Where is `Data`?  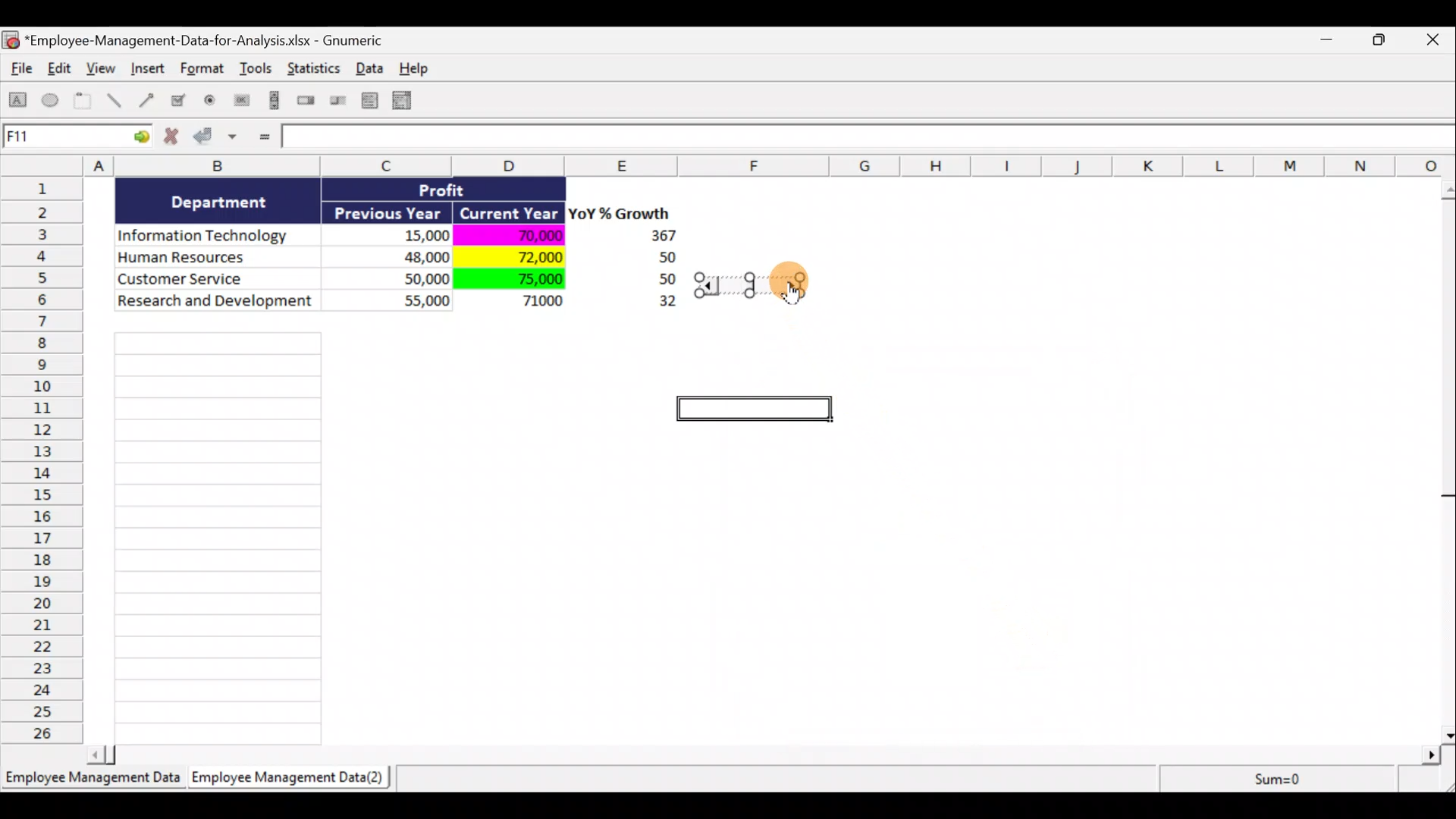
Data is located at coordinates (406, 256).